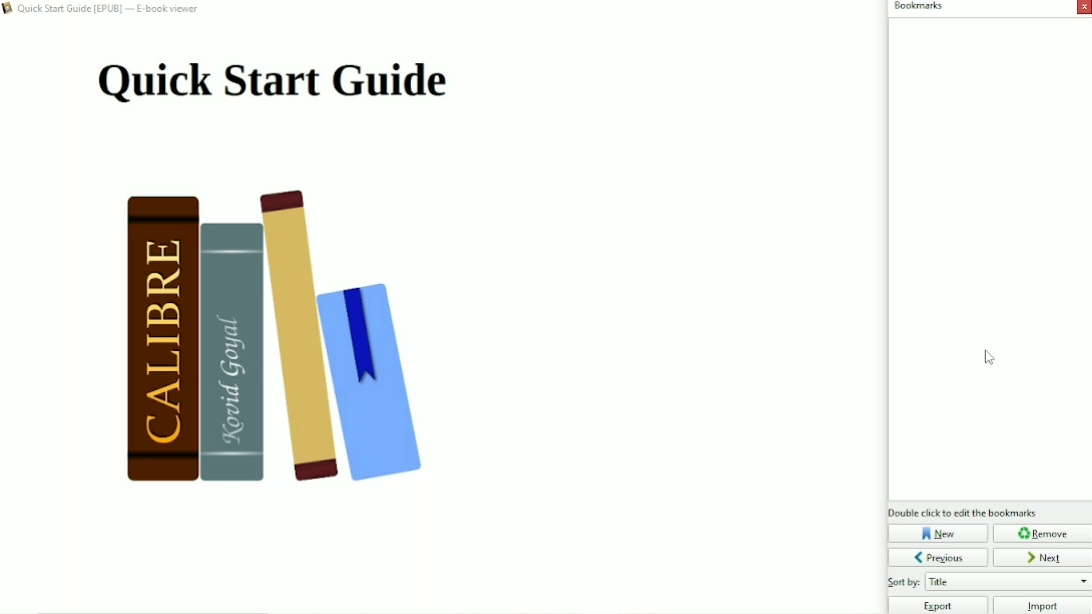 Image resolution: width=1092 pixels, height=614 pixels. I want to click on Book title, so click(112, 9).